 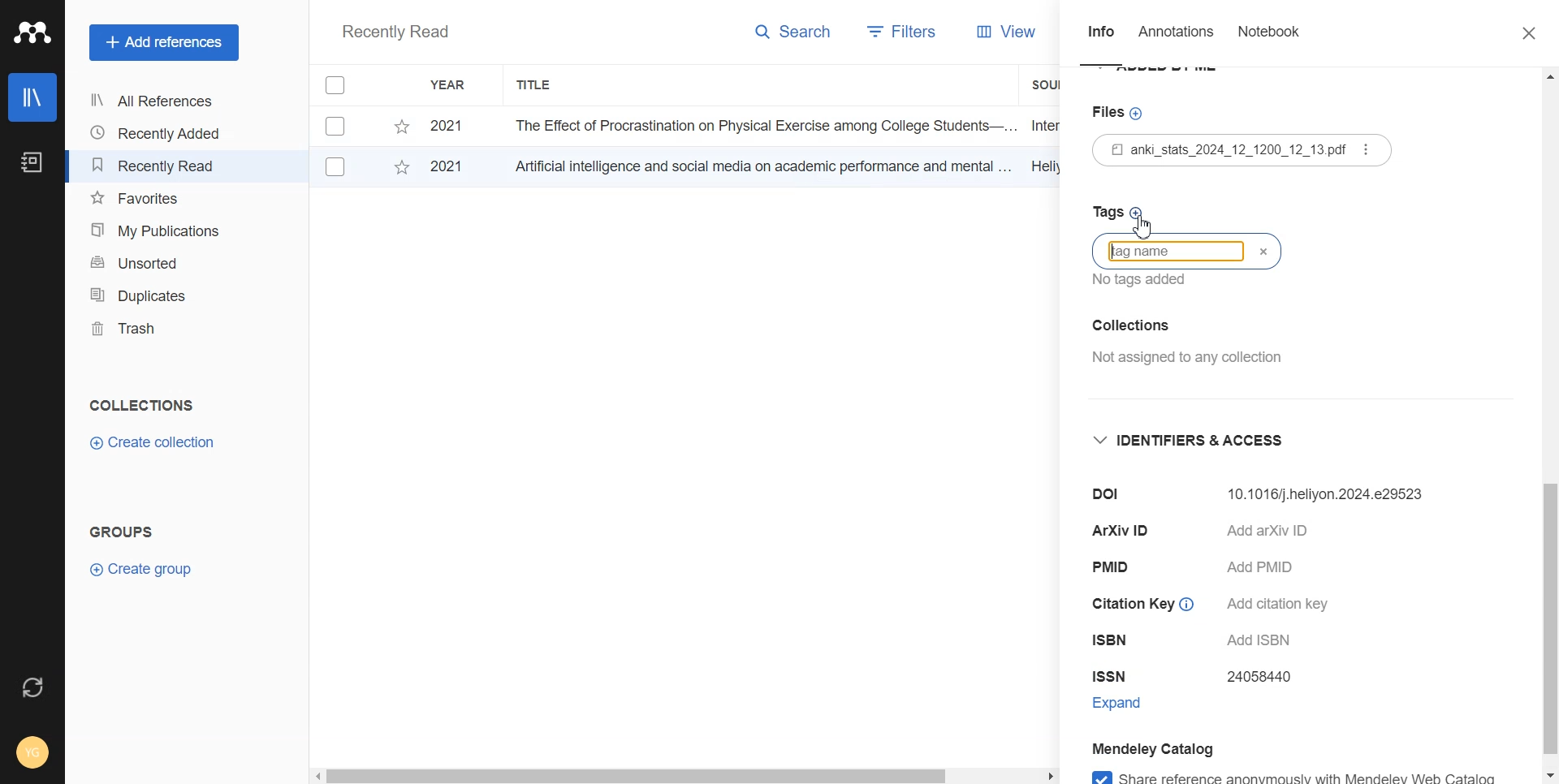 What do you see at coordinates (30, 687) in the screenshot?
I see `Auto sync` at bounding box center [30, 687].